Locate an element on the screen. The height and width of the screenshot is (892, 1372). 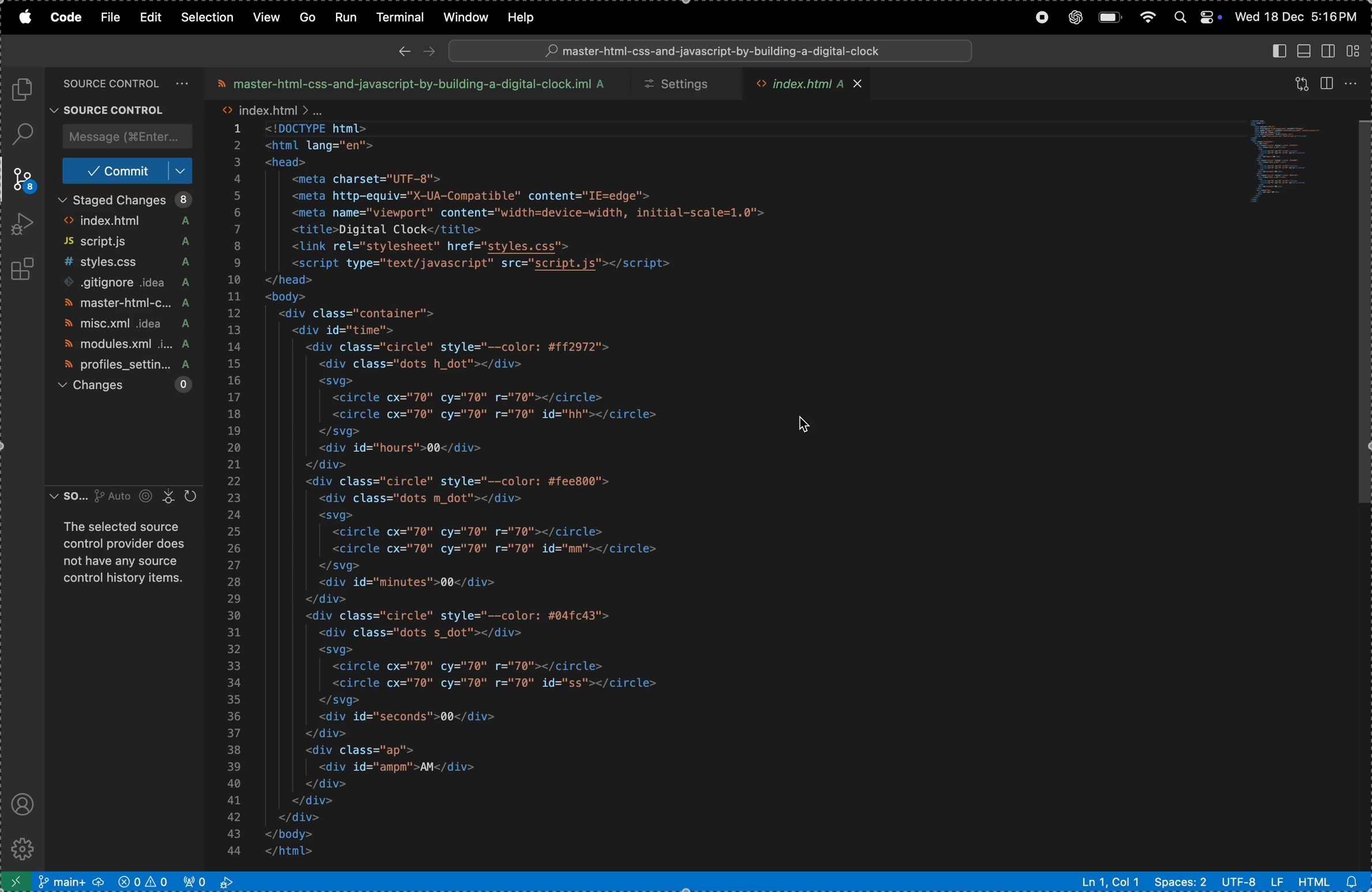
open remote window is located at coordinates (16, 882).